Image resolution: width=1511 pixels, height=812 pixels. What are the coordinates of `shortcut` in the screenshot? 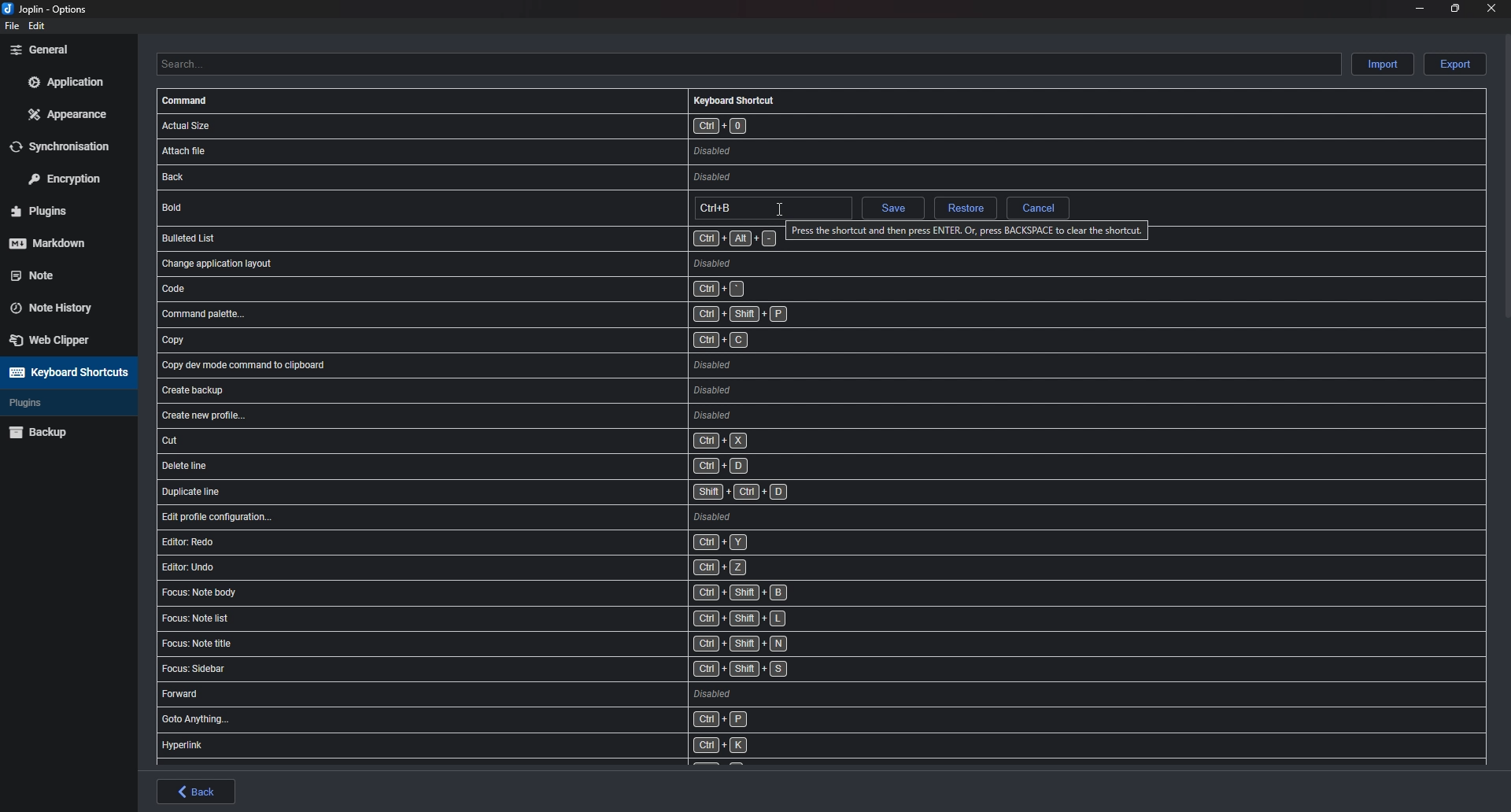 It's located at (525, 262).